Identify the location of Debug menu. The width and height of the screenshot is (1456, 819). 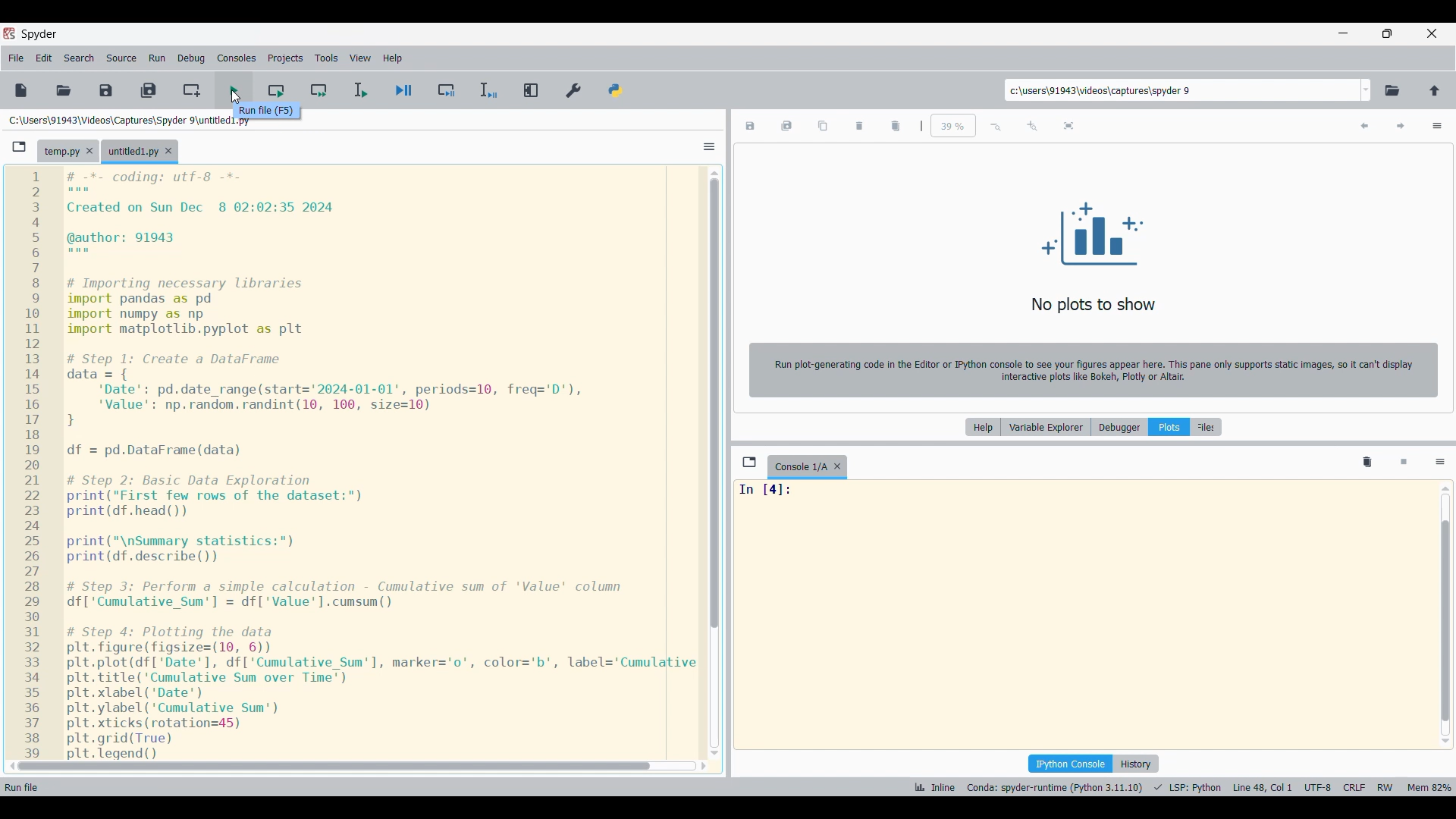
(192, 58).